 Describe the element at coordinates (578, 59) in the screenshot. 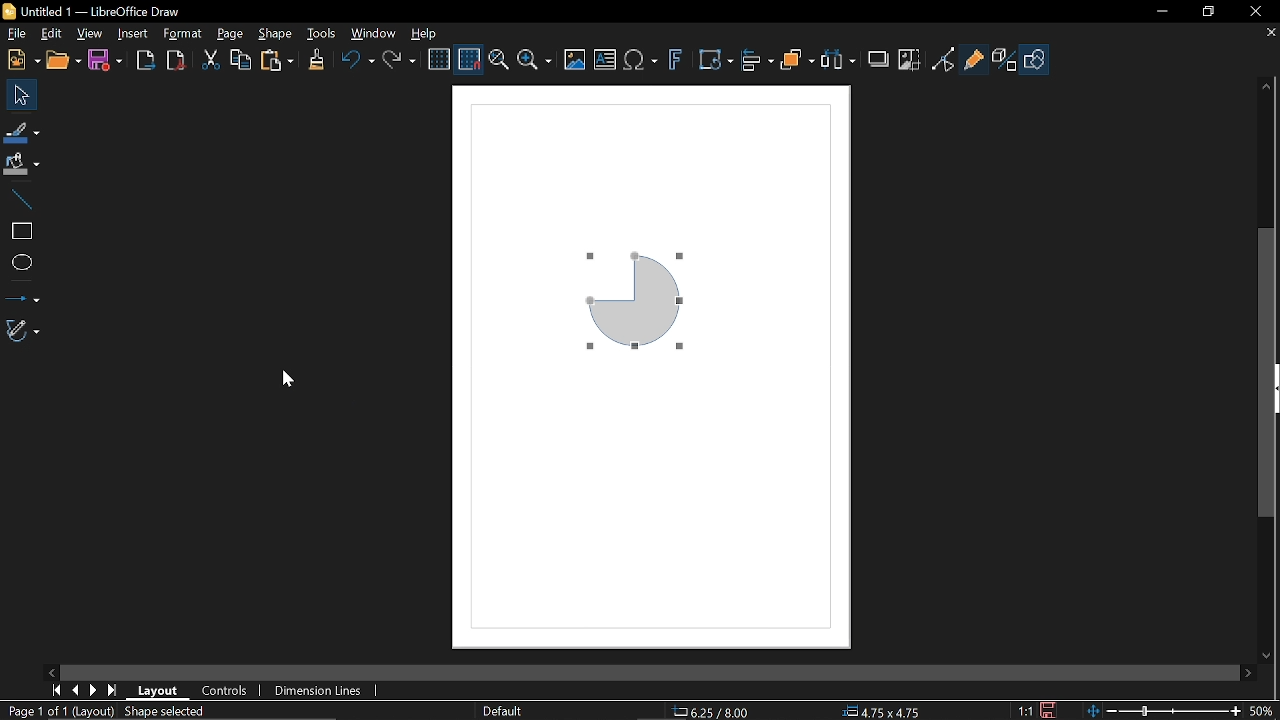

I see `insert image` at that location.